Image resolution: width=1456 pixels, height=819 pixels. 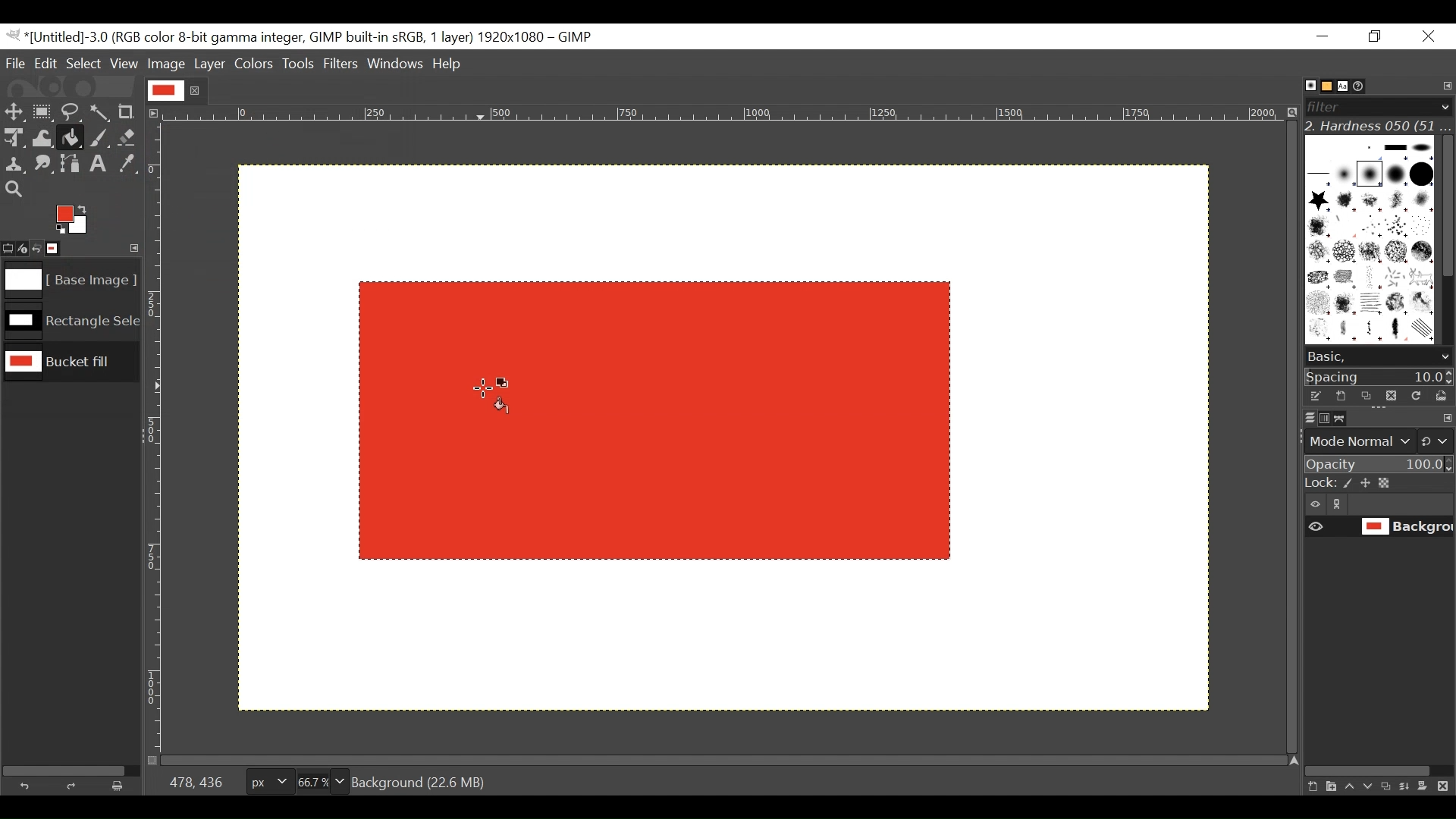 What do you see at coordinates (322, 780) in the screenshot?
I see `Zoom factor` at bounding box center [322, 780].